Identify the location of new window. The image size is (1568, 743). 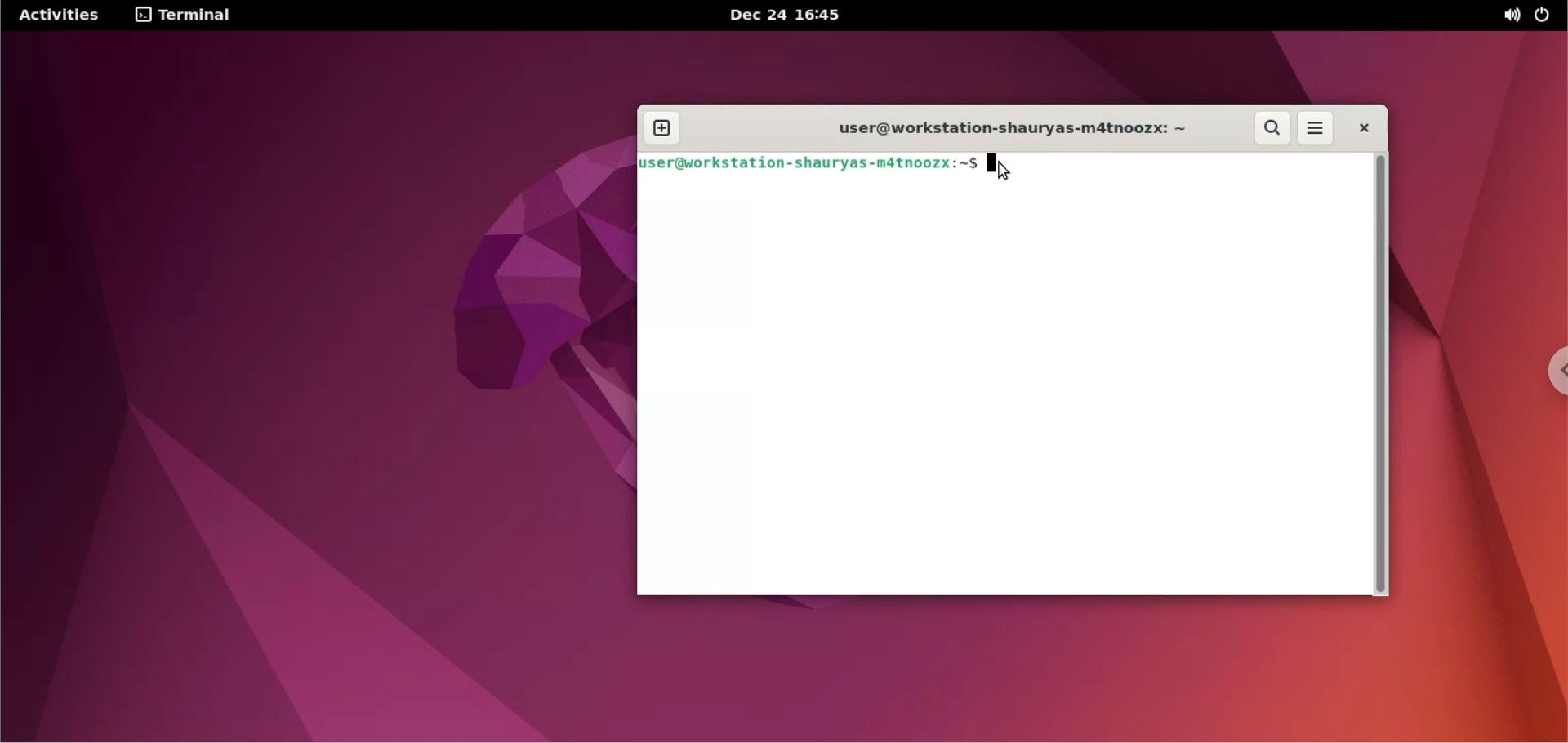
(669, 129).